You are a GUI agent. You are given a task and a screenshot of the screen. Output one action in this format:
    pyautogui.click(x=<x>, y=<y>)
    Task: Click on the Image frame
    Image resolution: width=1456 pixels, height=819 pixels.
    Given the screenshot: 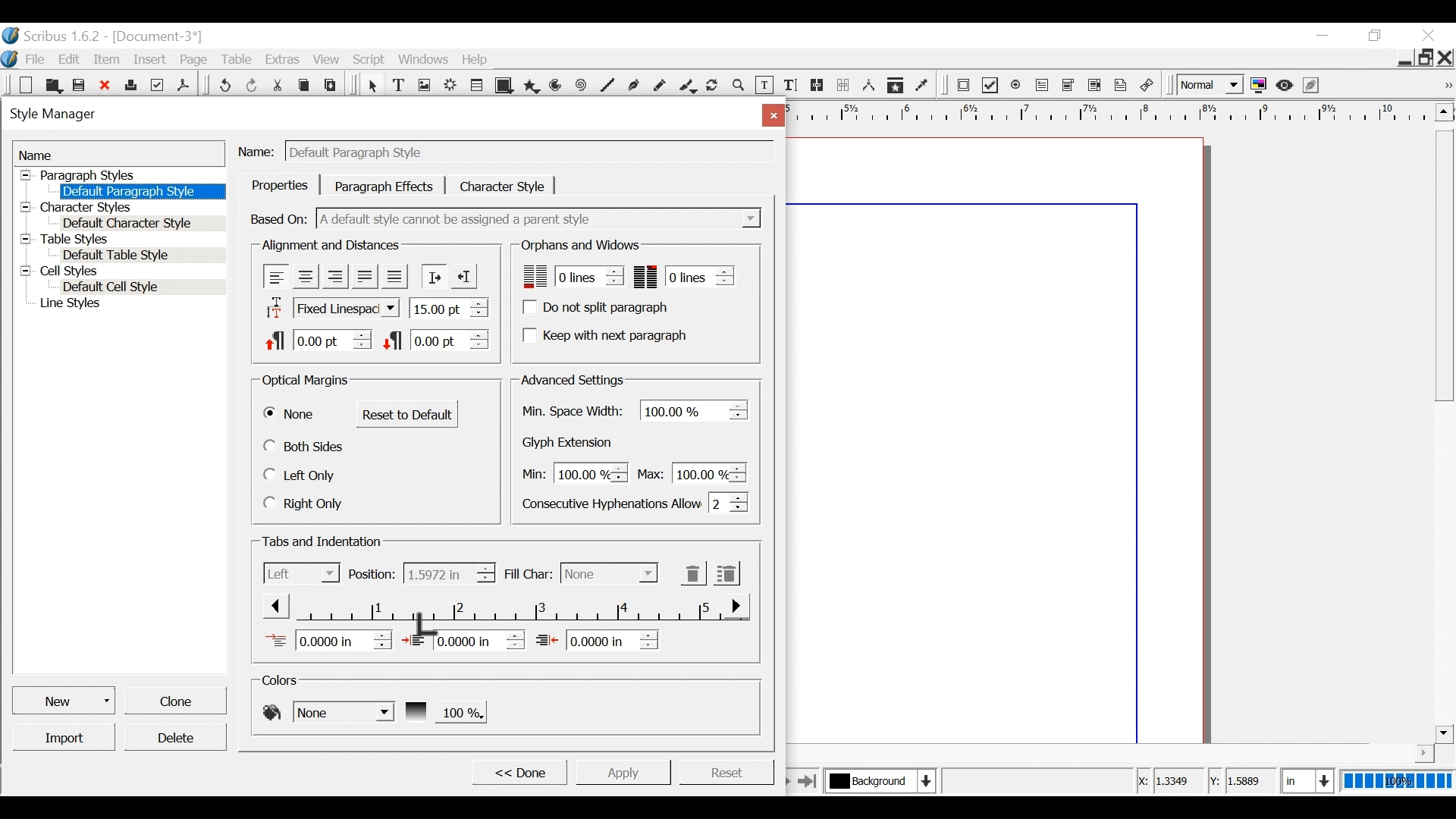 What is the action you would take?
    pyautogui.click(x=424, y=86)
    